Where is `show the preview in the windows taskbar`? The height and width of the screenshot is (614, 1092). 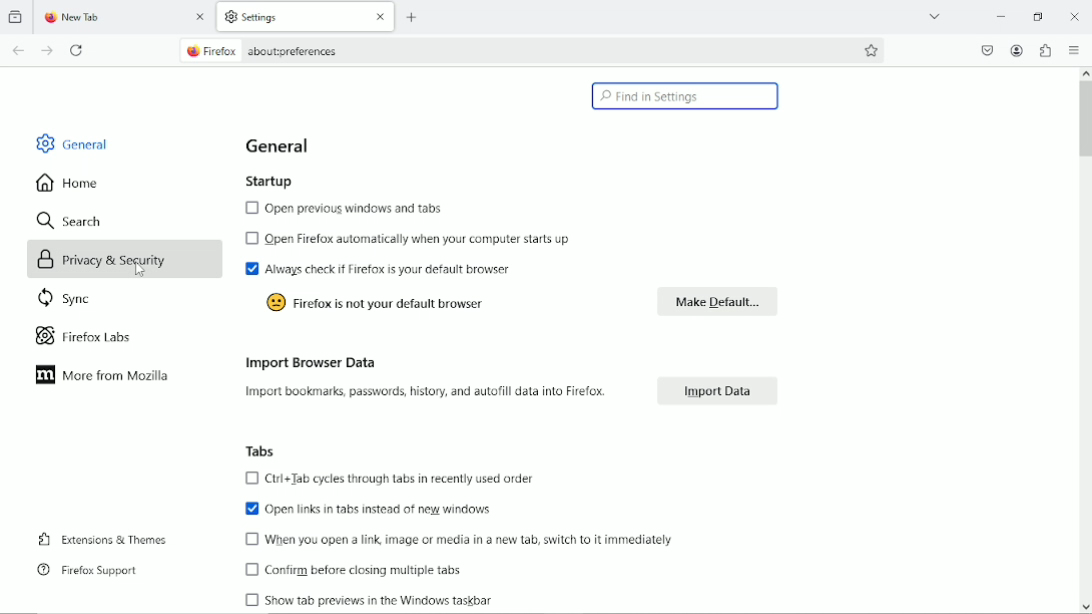
show the preview in the windows taskbar is located at coordinates (387, 601).